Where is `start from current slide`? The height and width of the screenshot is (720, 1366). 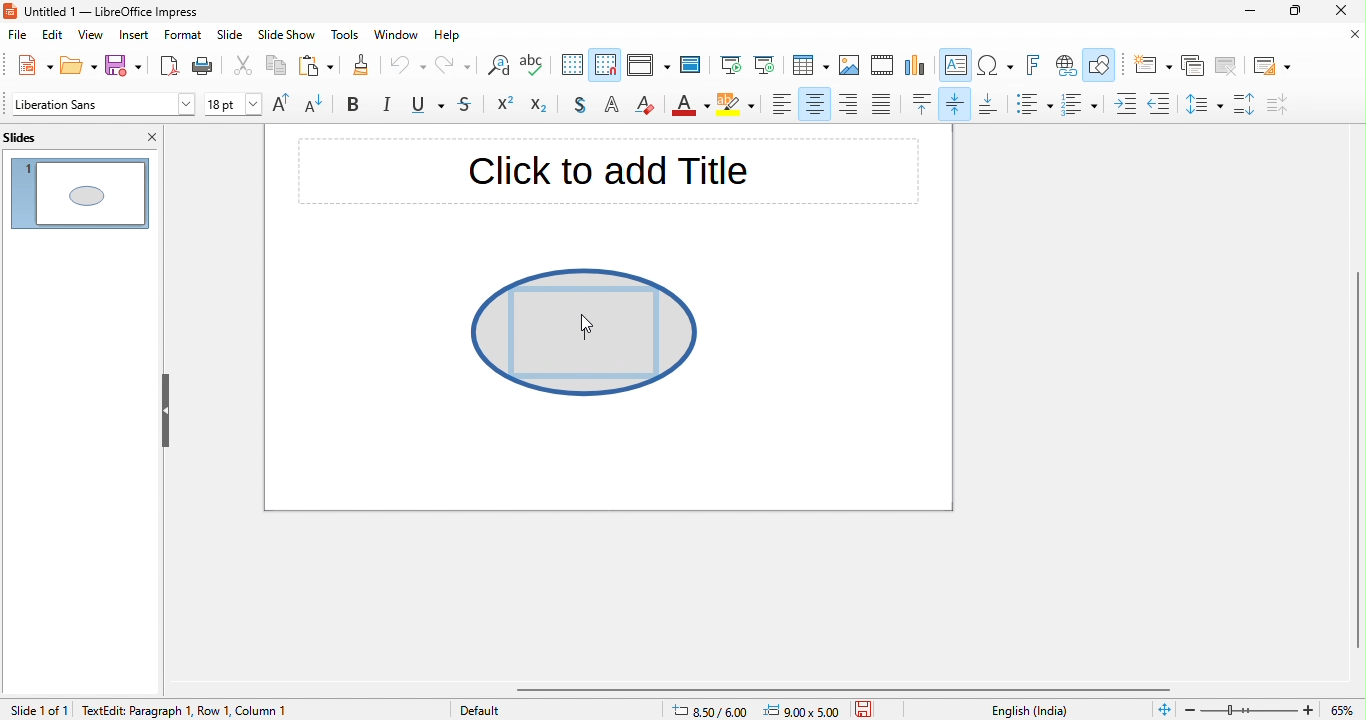
start from current slide is located at coordinates (764, 65).